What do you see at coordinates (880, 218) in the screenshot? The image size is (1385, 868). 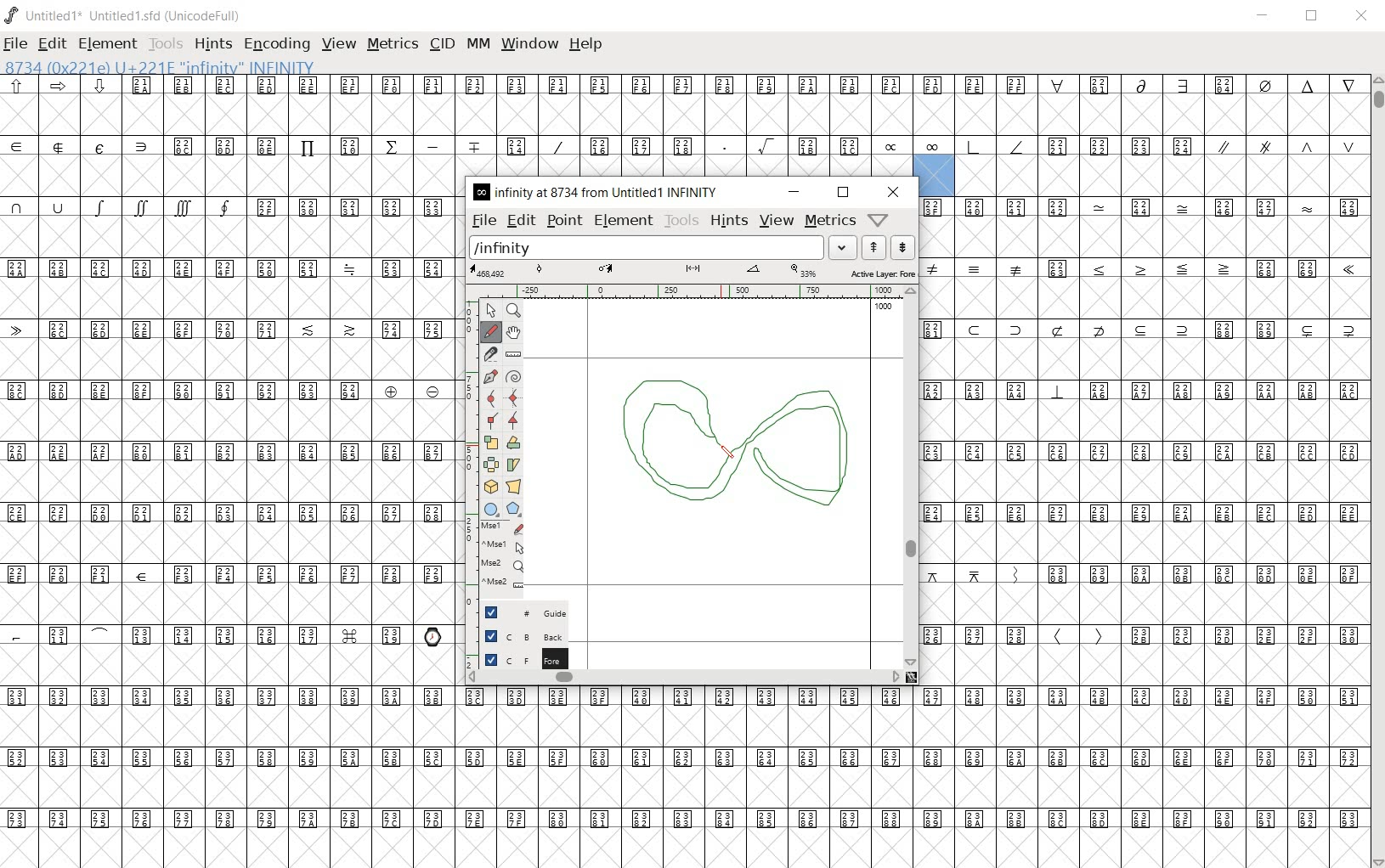 I see `help/window` at bounding box center [880, 218].